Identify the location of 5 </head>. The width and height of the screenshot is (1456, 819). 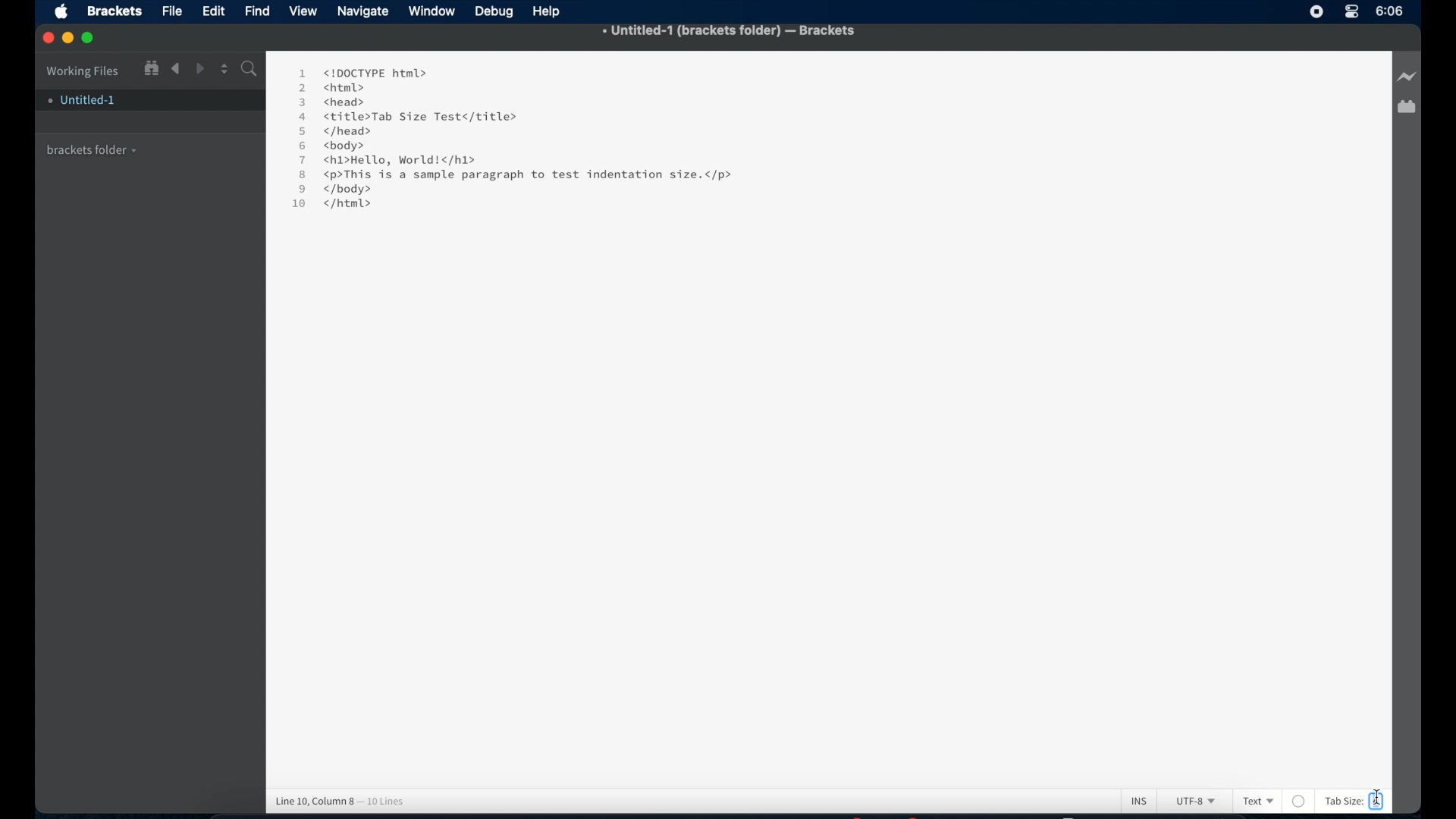
(334, 132).